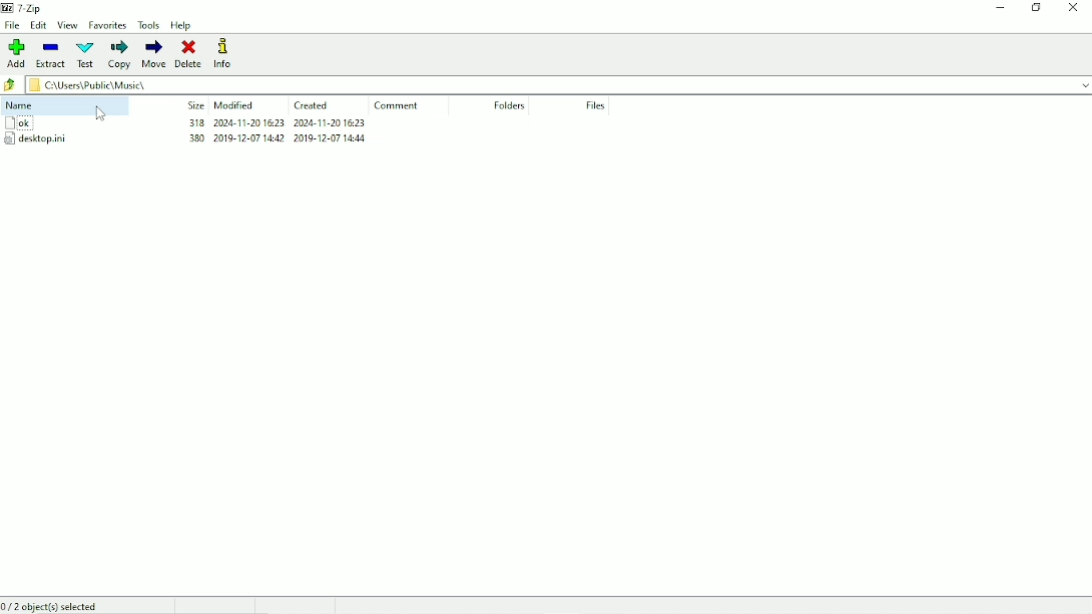 This screenshot has height=614, width=1092. What do you see at coordinates (234, 105) in the screenshot?
I see `Modified` at bounding box center [234, 105].